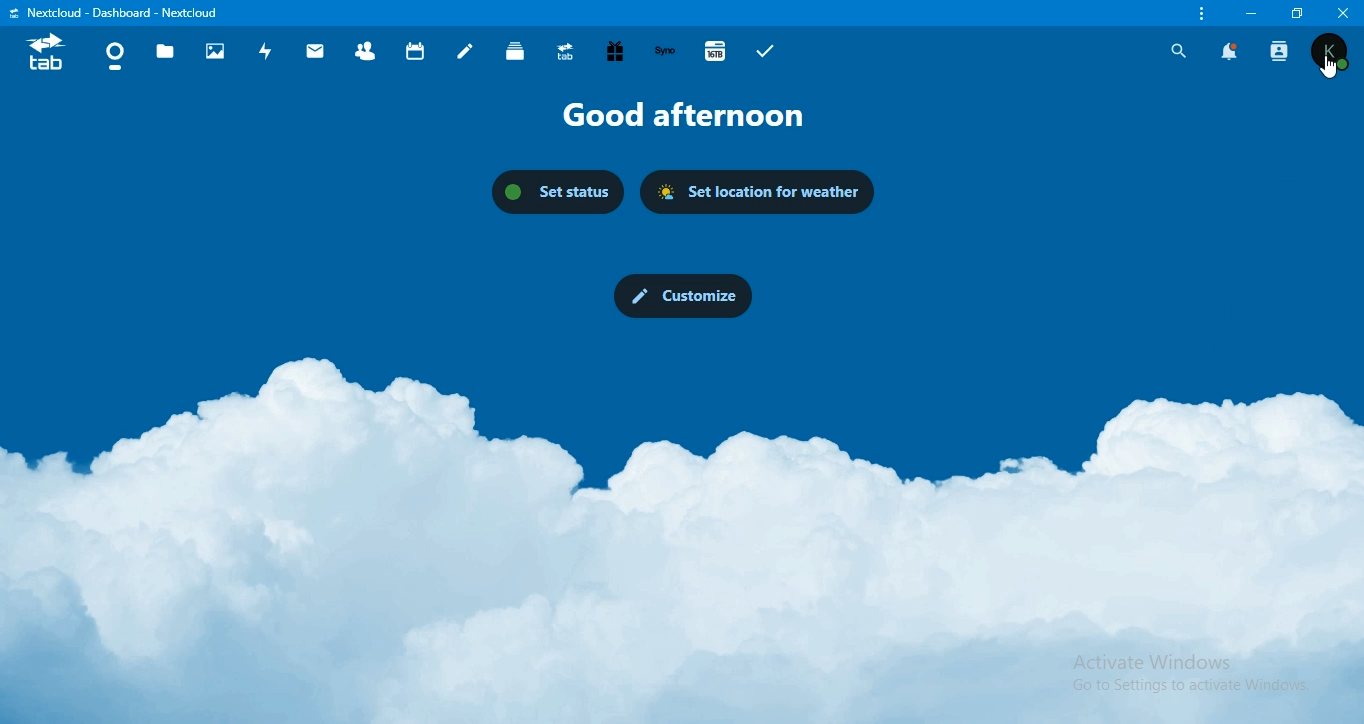  I want to click on customize & control nextcloud, so click(1199, 14).